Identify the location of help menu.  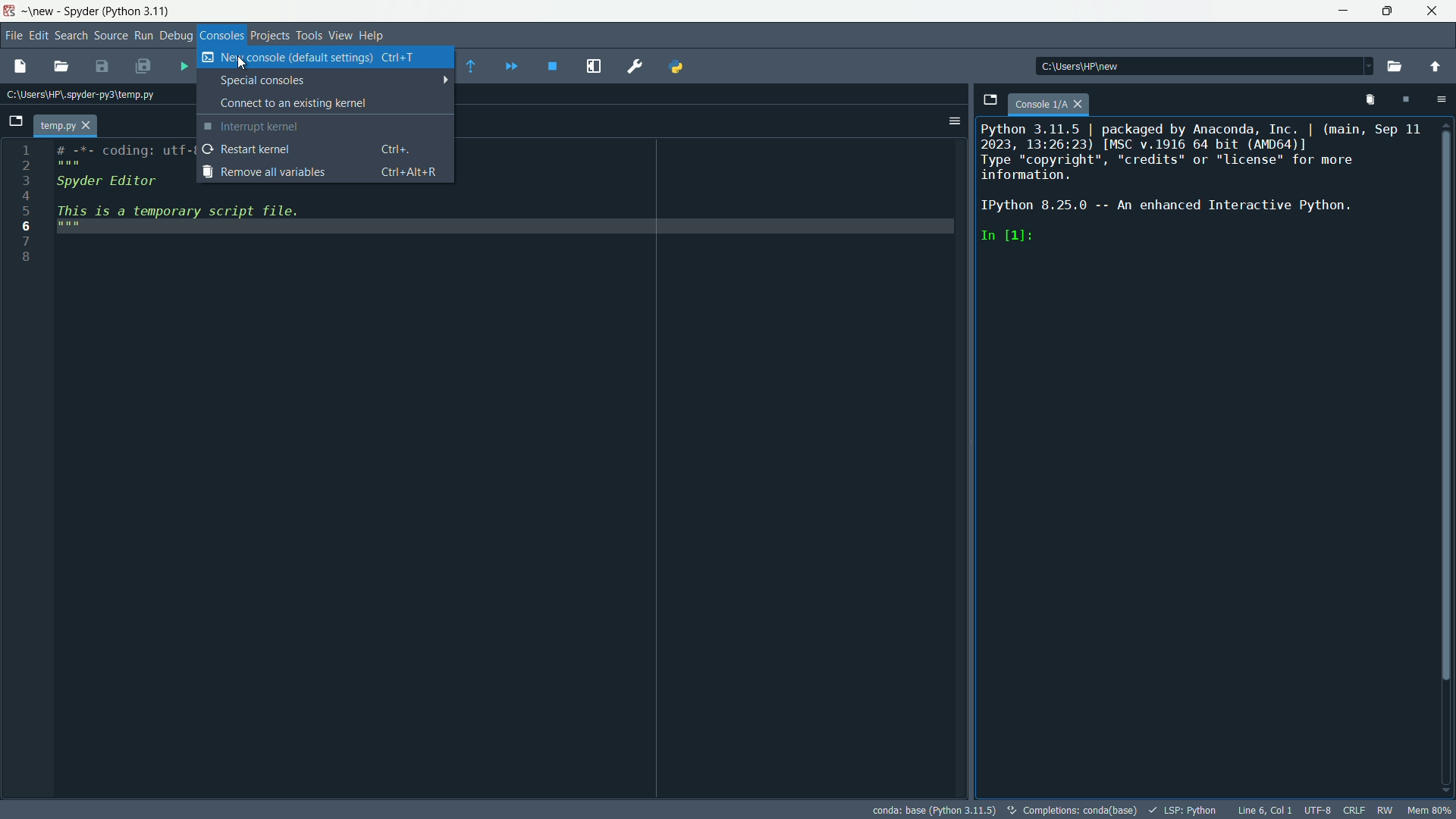
(373, 36).